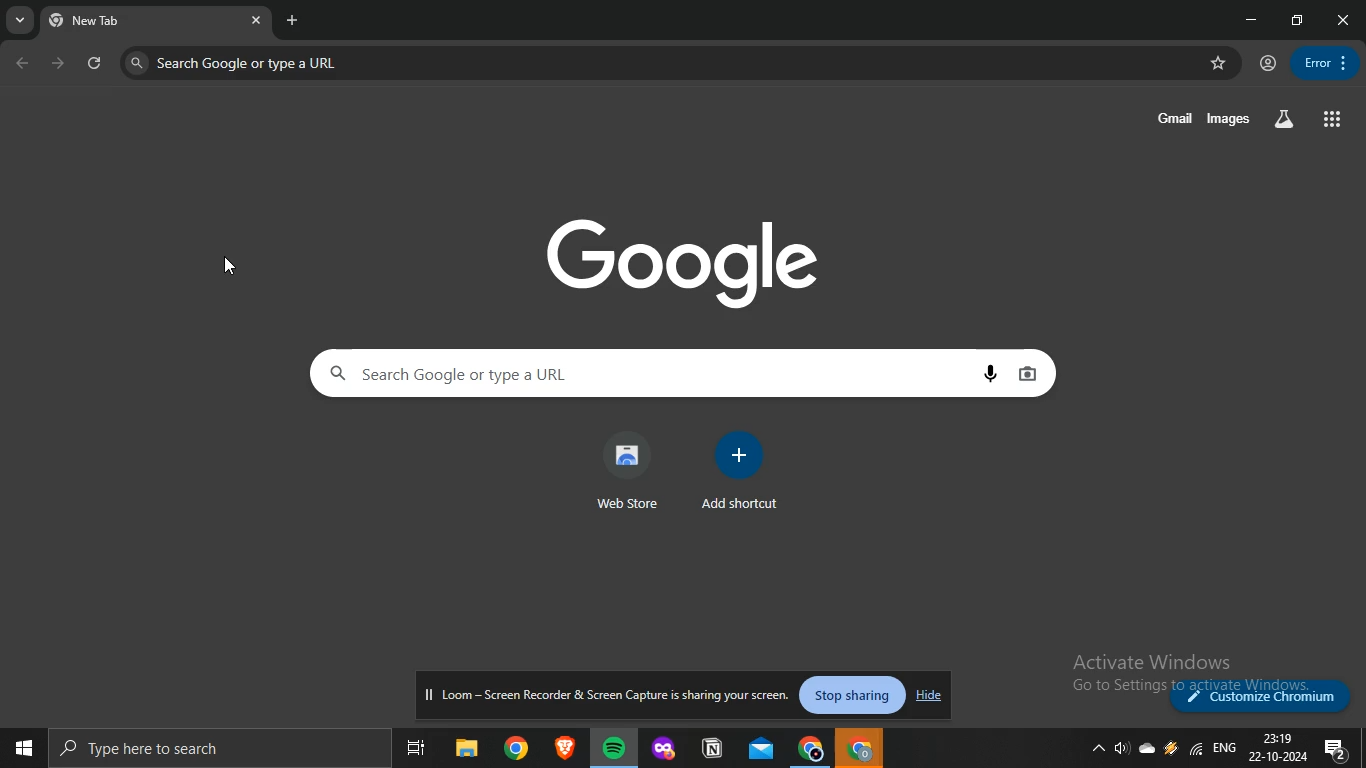 The height and width of the screenshot is (768, 1366). I want to click on volumw, so click(1122, 748).